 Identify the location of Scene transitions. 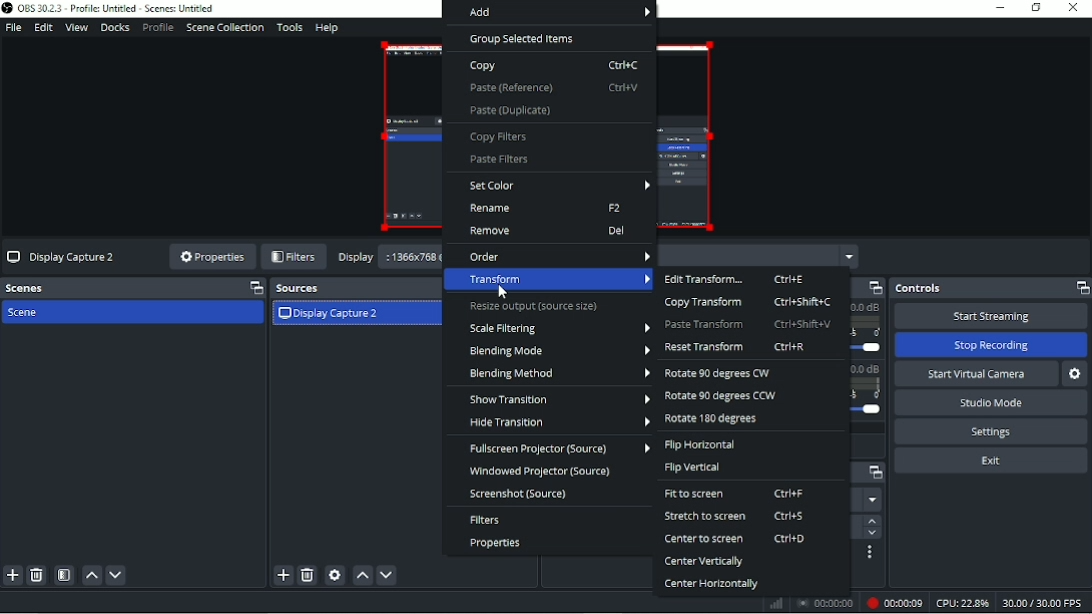
(872, 474).